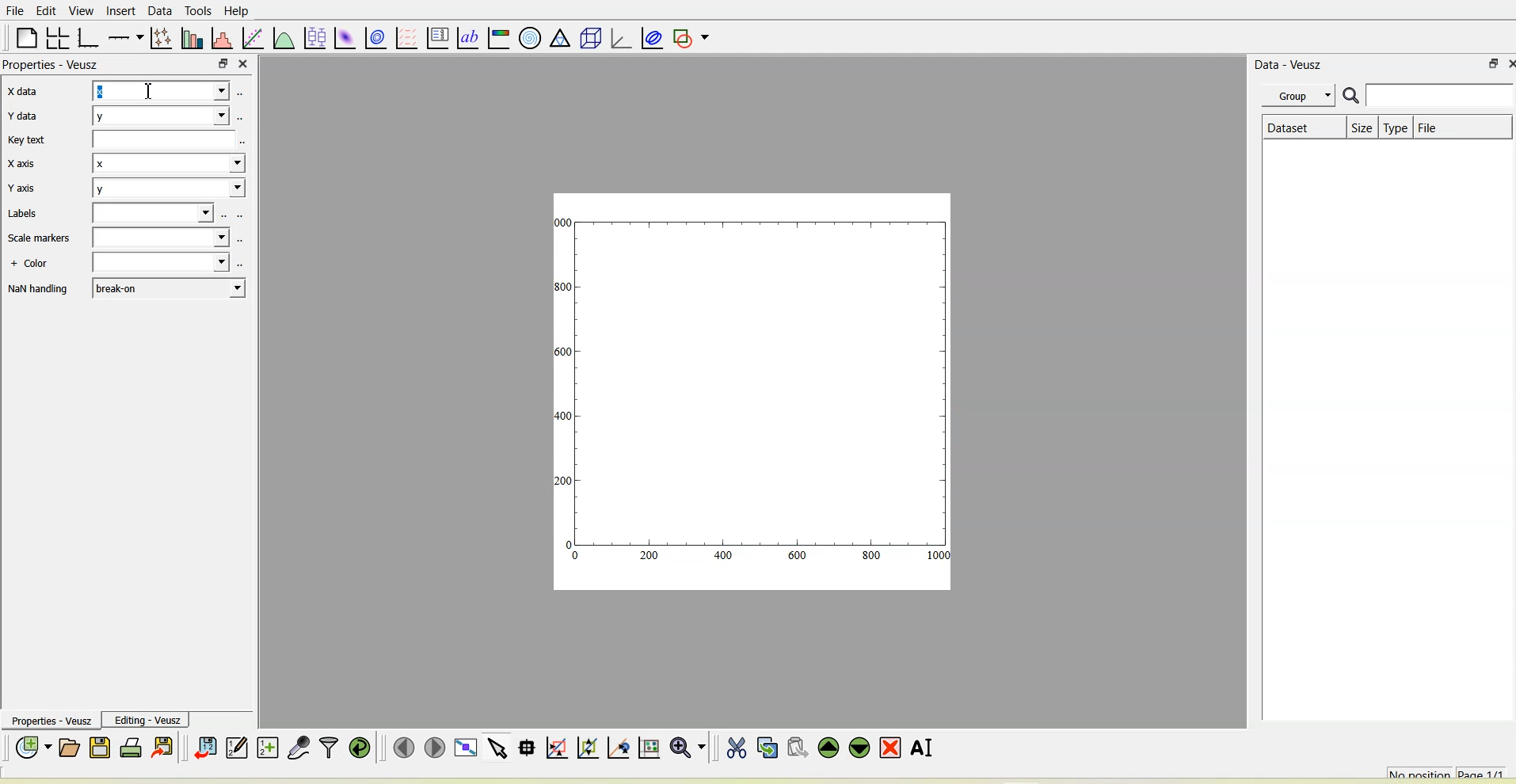 The height and width of the screenshot is (784, 1516). I want to click on close, so click(244, 64).